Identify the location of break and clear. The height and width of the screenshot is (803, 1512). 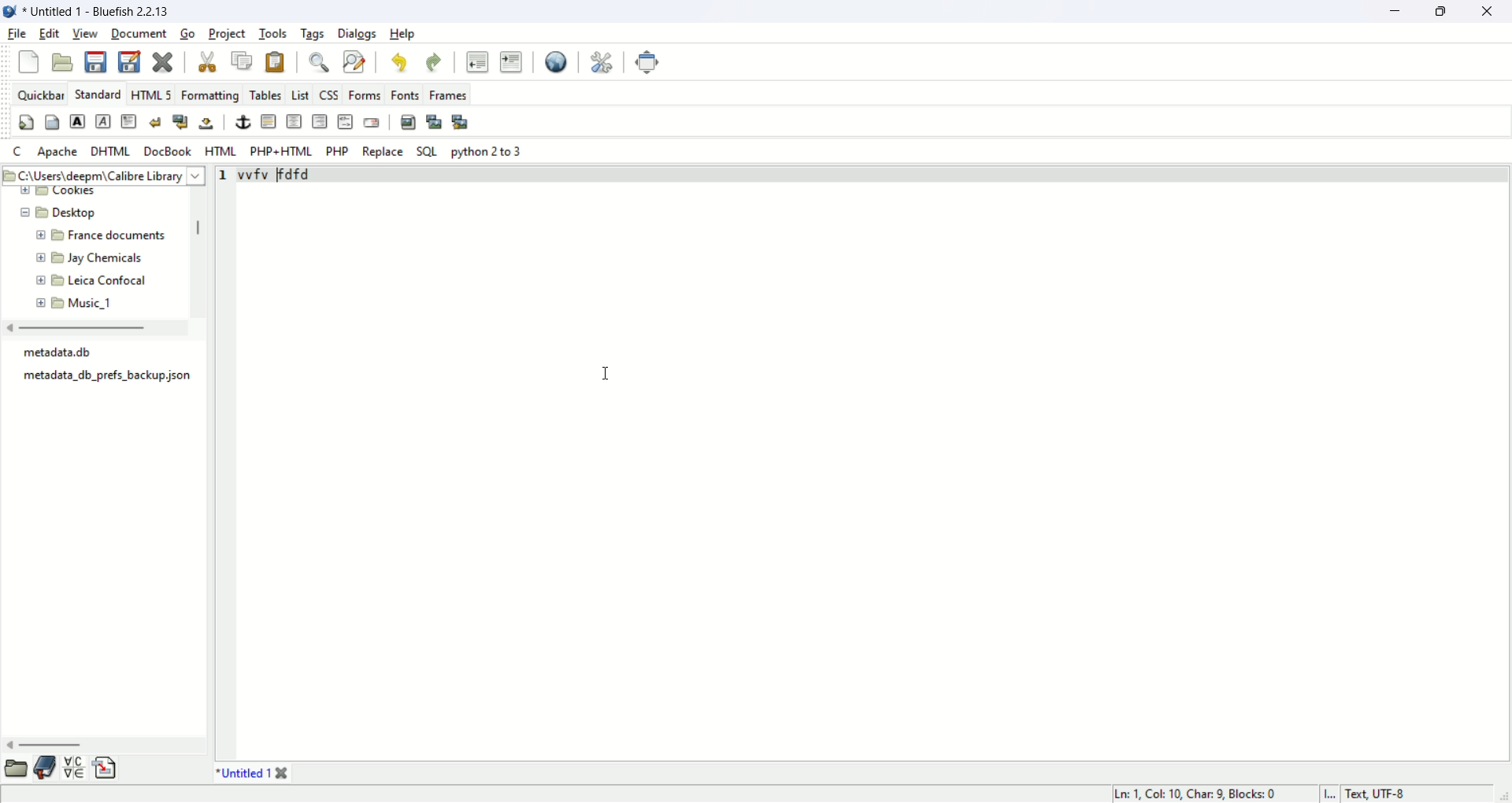
(181, 122).